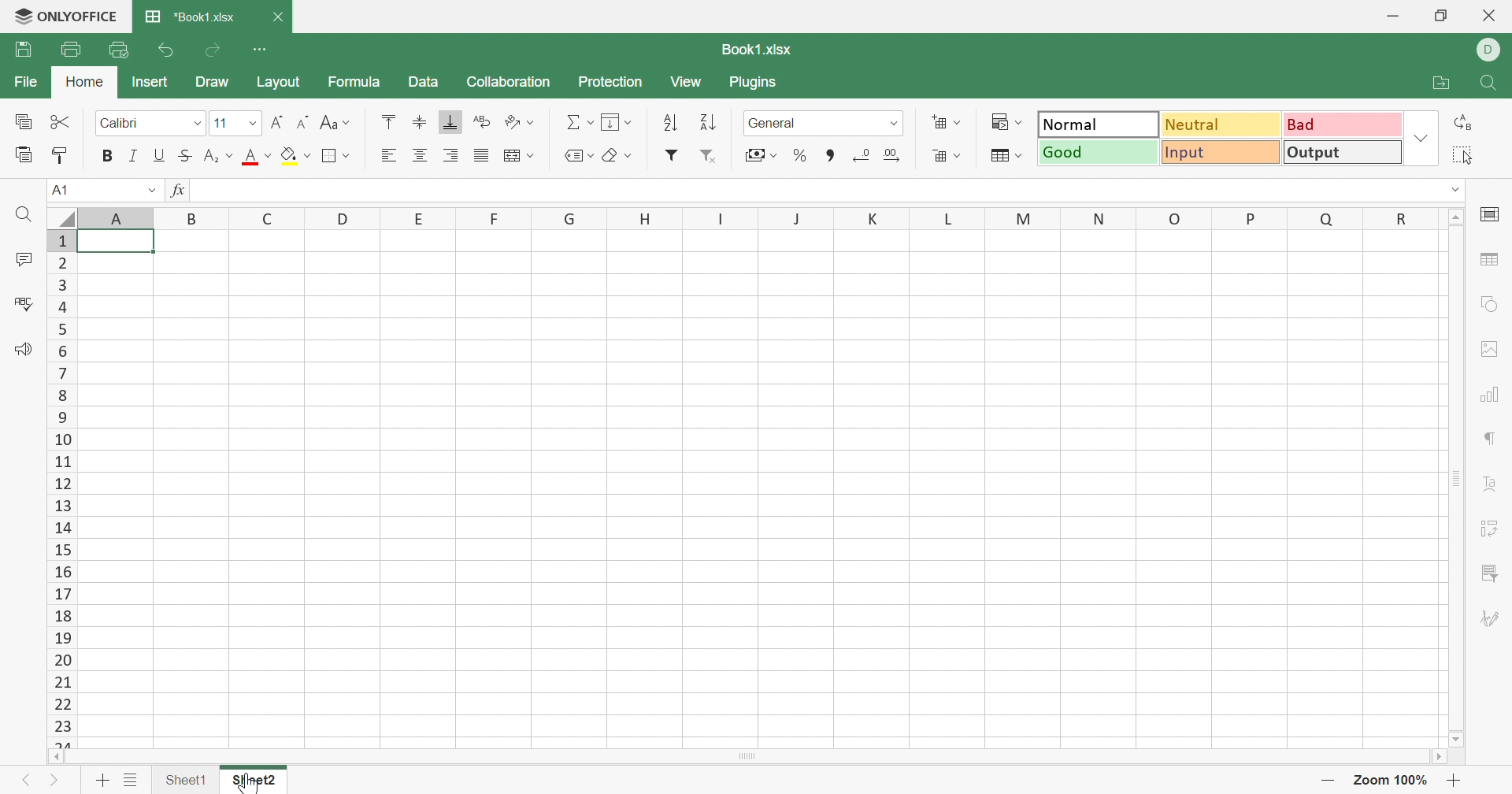  I want to click on Drop Down, so click(963, 155).